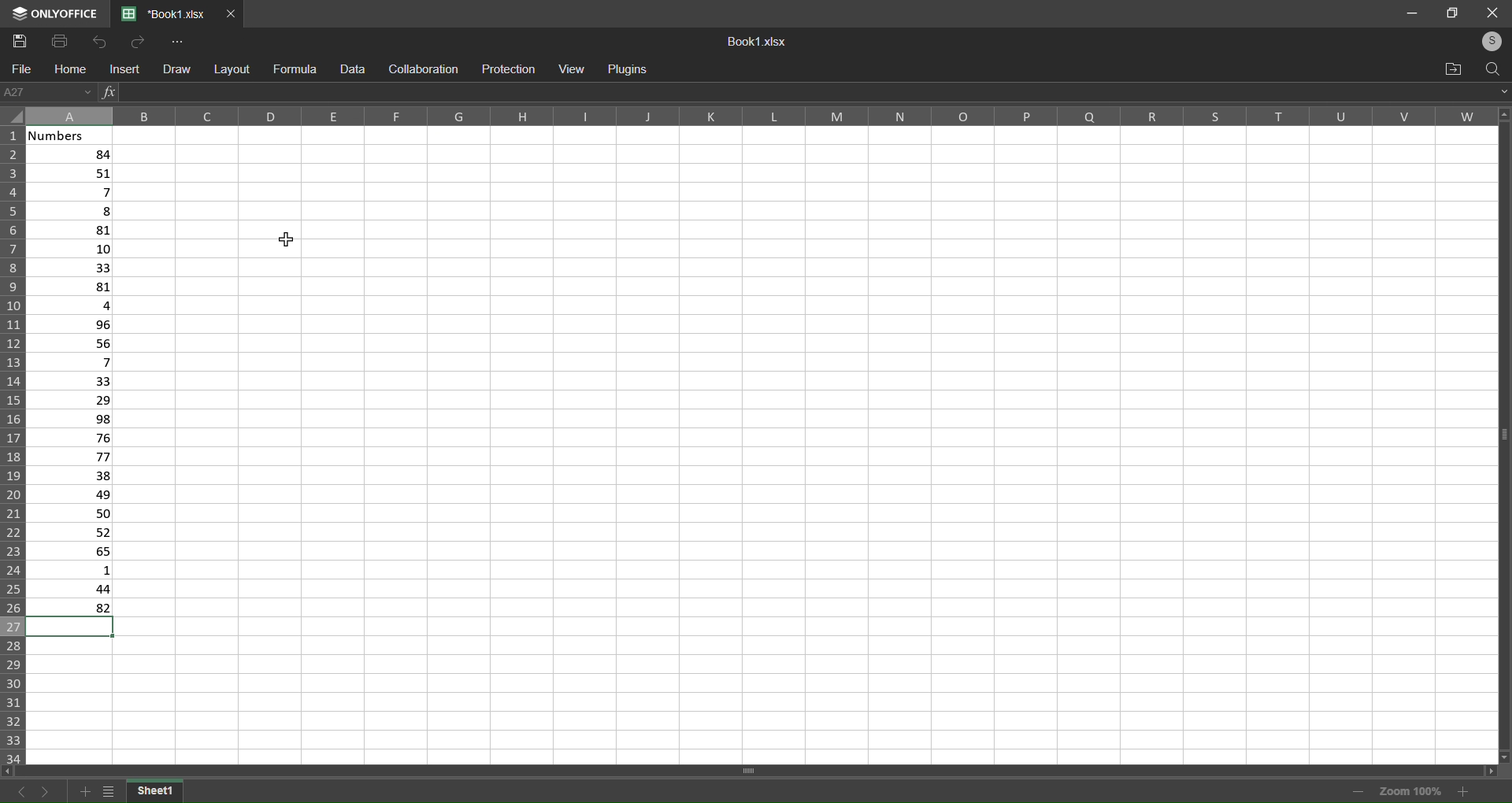 Image resolution: width=1512 pixels, height=803 pixels. Describe the element at coordinates (510, 70) in the screenshot. I see `protection` at that location.